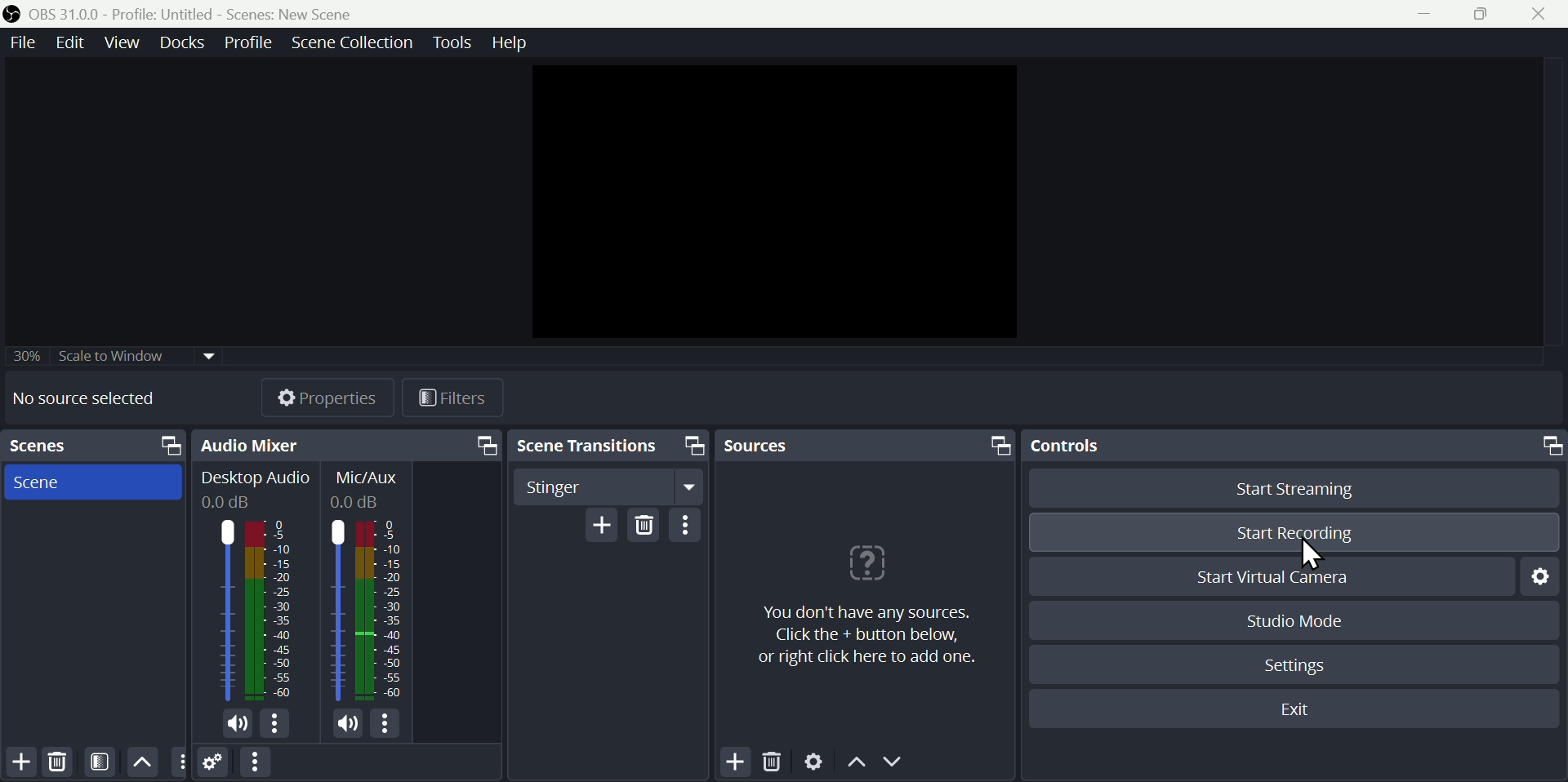 This screenshot has height=782, width=1568. I want to click on Docks, so click(181, 42).